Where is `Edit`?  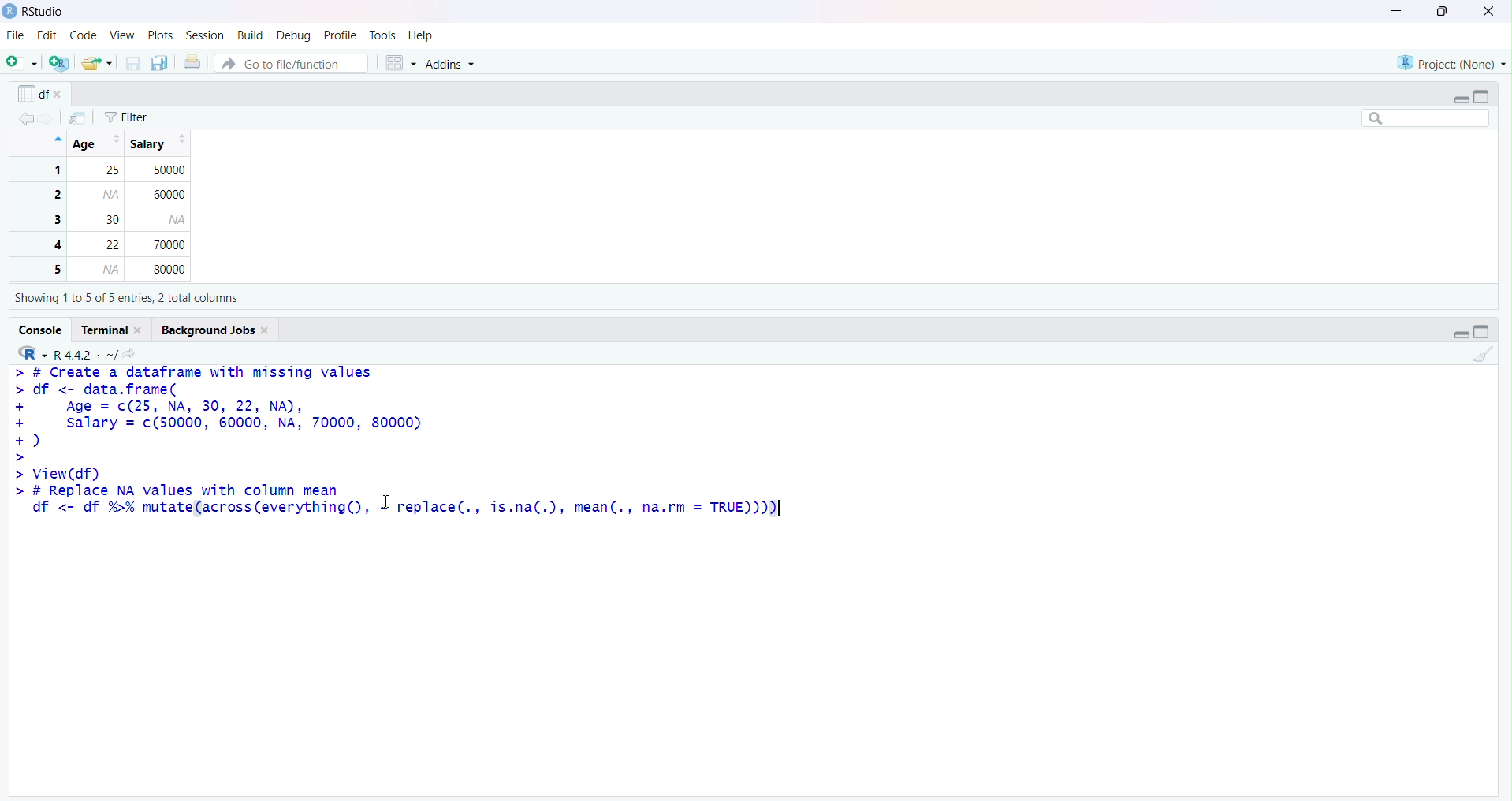 Edit is located at coordinates (48, 35).